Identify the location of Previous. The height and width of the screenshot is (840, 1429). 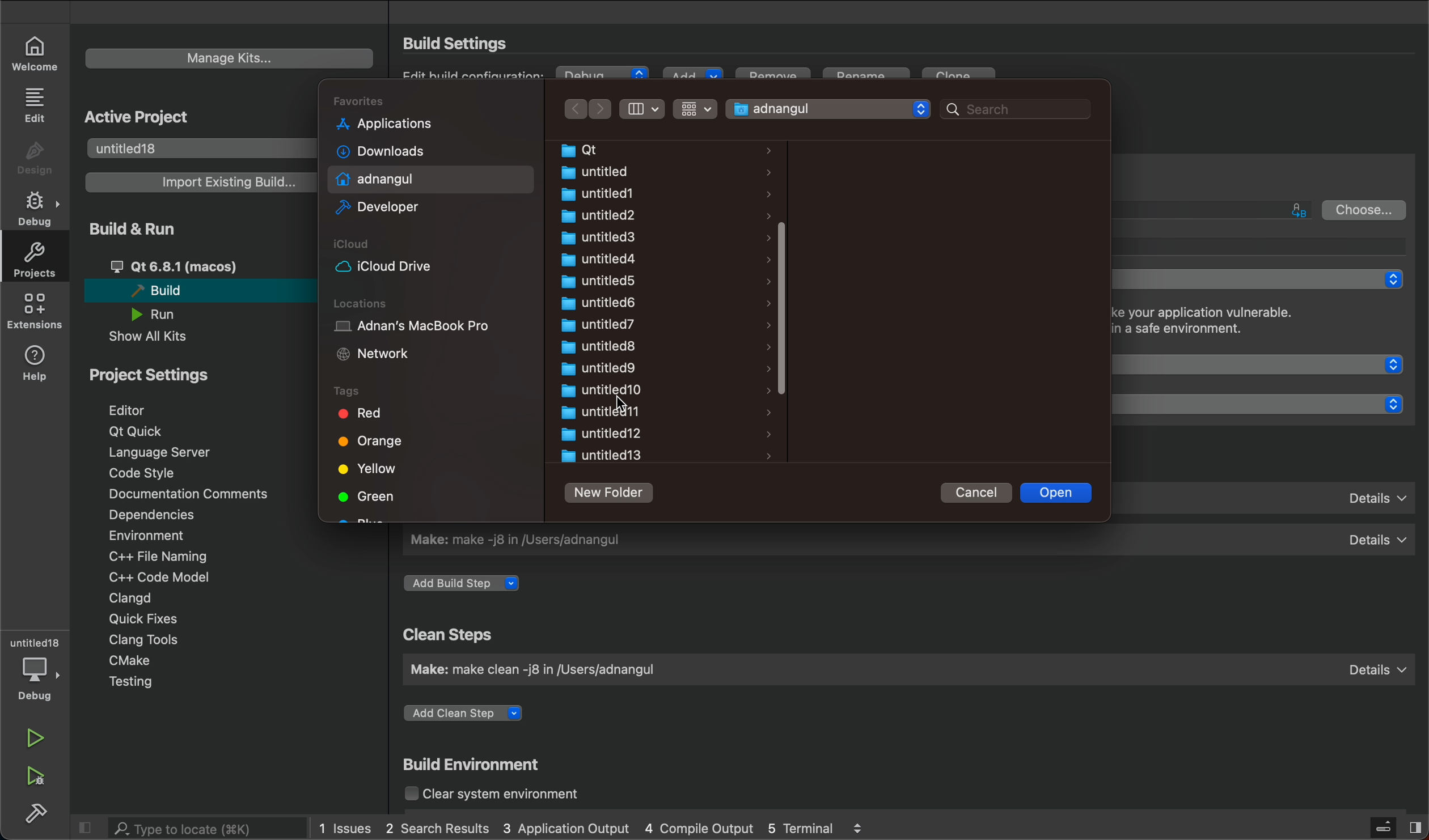
(574, 108).